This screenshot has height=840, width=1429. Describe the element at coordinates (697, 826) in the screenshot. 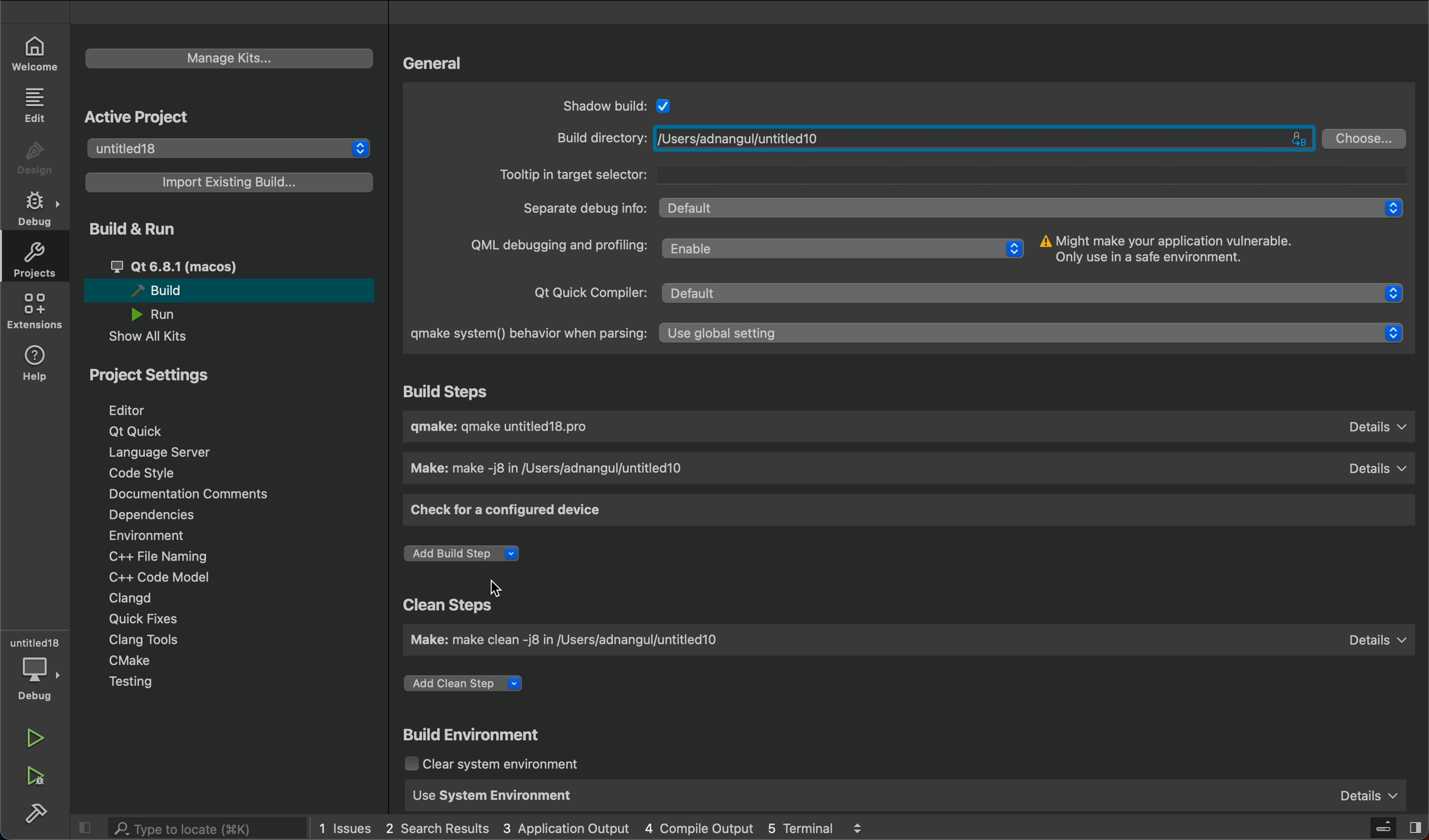

I see `4 Compile Output` at that location.